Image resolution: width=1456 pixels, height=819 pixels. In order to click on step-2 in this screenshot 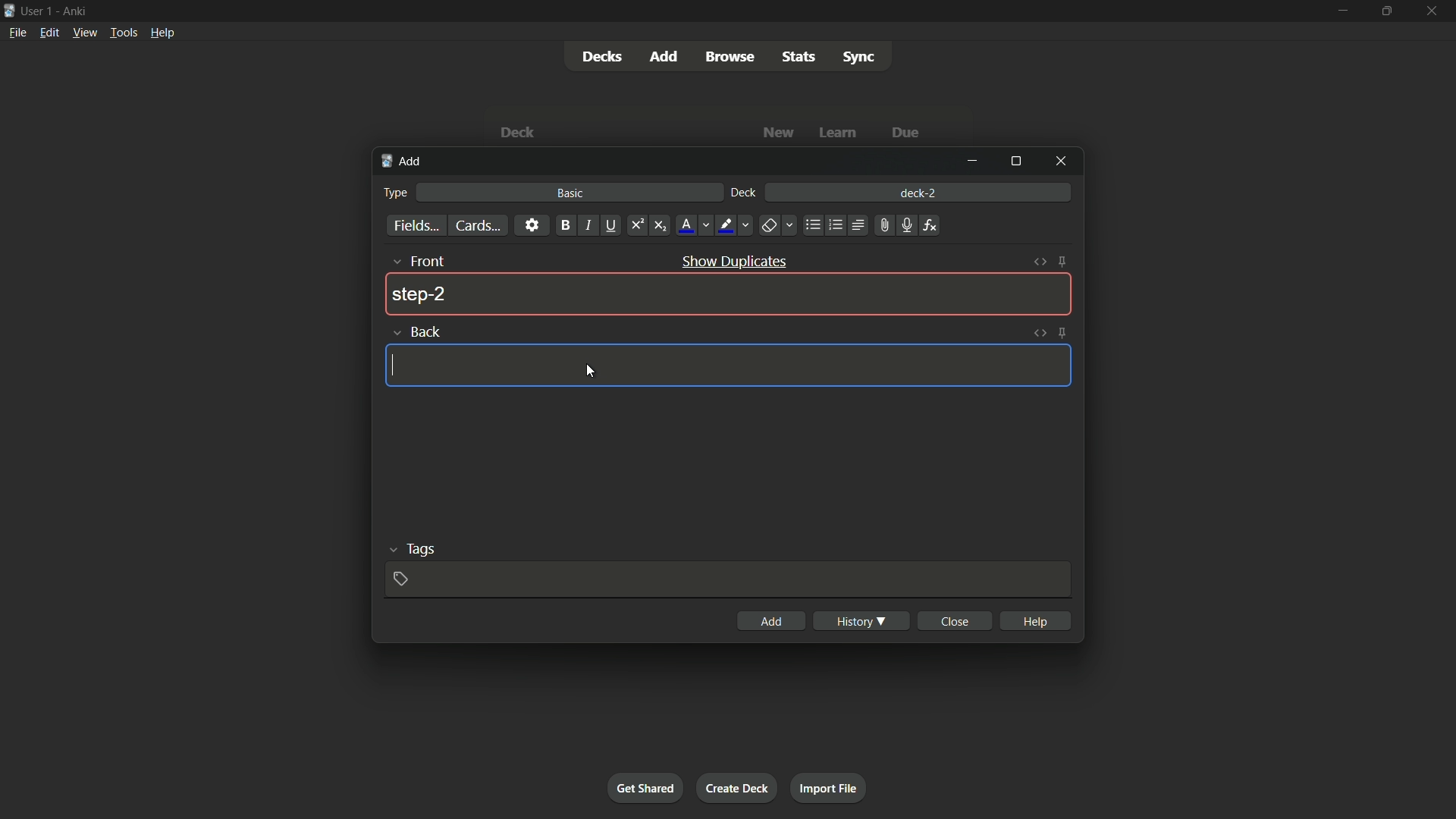, I will do `click(420, 295)`.